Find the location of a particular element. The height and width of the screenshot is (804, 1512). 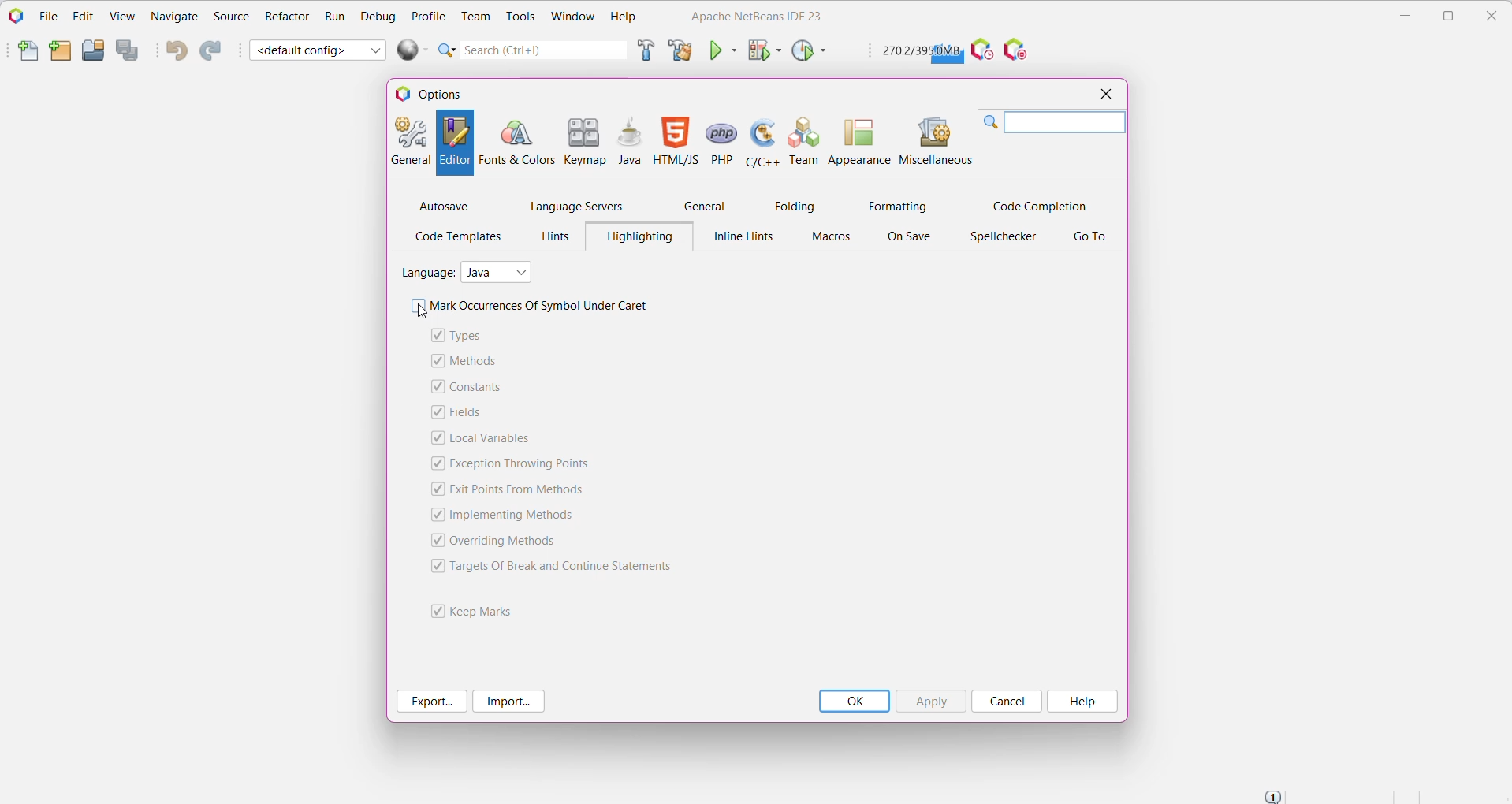

Methods - click to enable is located at coordinates (475, 361).